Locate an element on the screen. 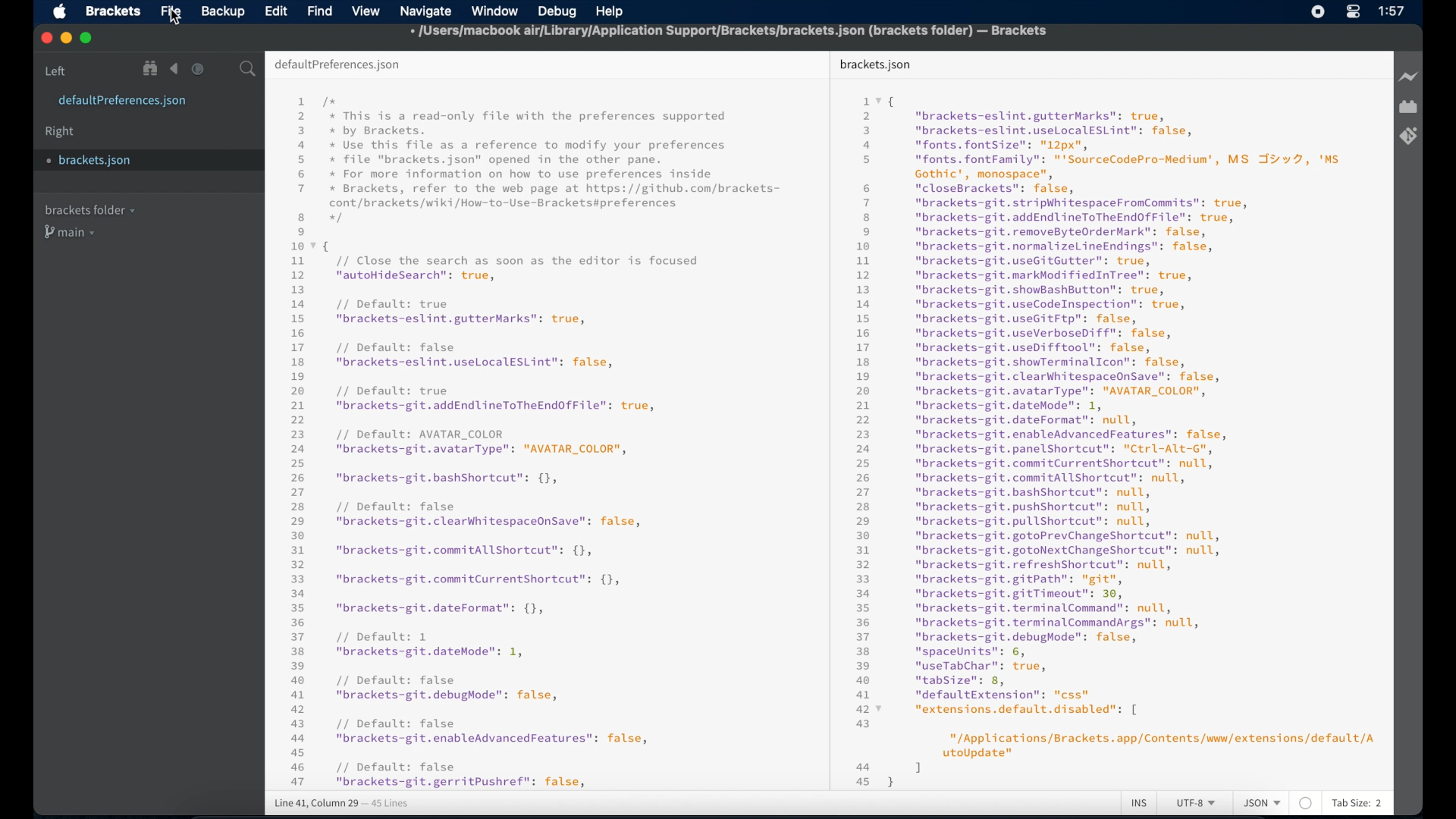 The height and width of the screenshot is (819, 1456). right is located at coordinates (61, 132).